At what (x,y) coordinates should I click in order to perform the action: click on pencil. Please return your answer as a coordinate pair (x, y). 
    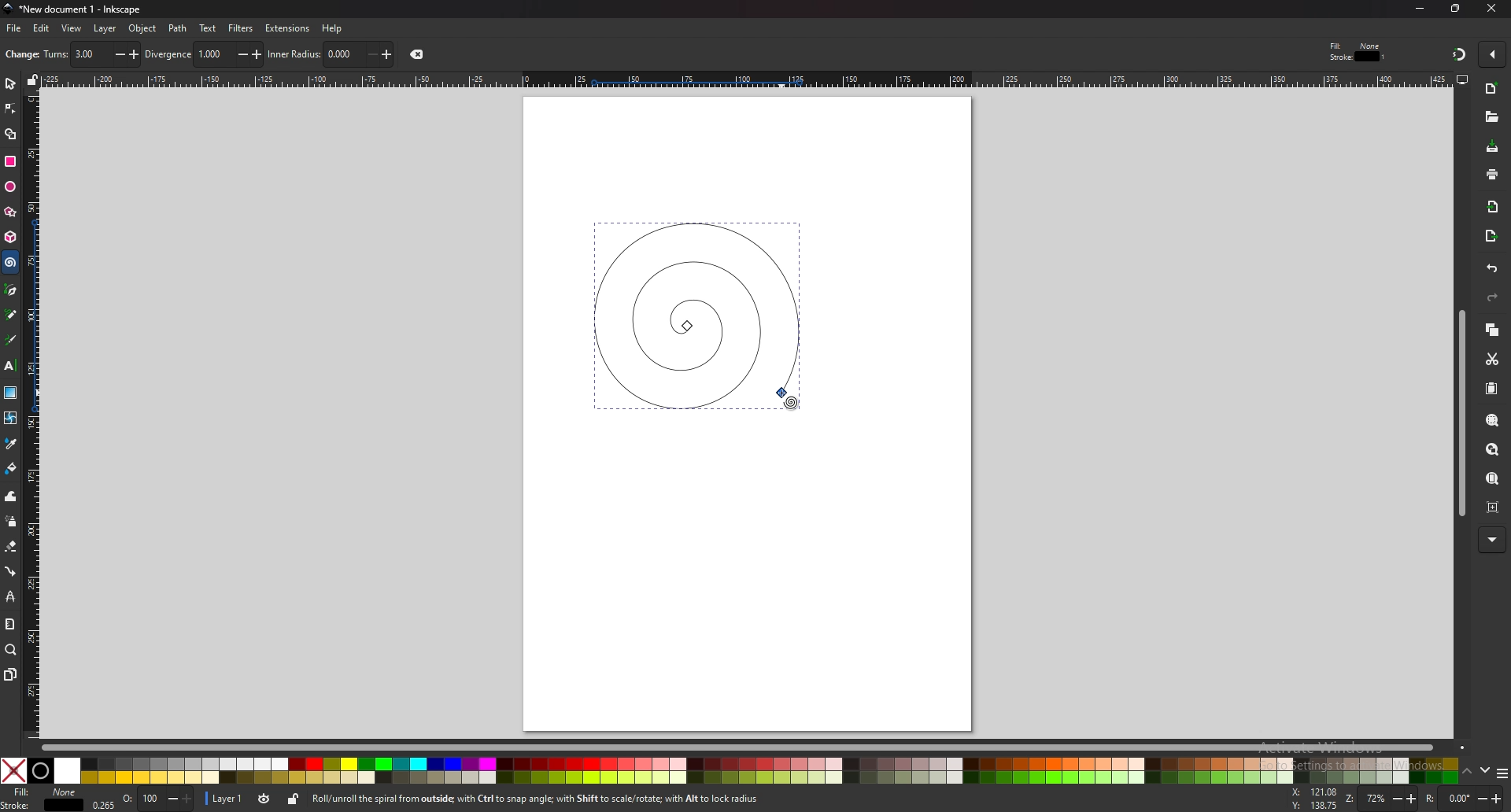
    Looking at the image, I should click on (13, 314).